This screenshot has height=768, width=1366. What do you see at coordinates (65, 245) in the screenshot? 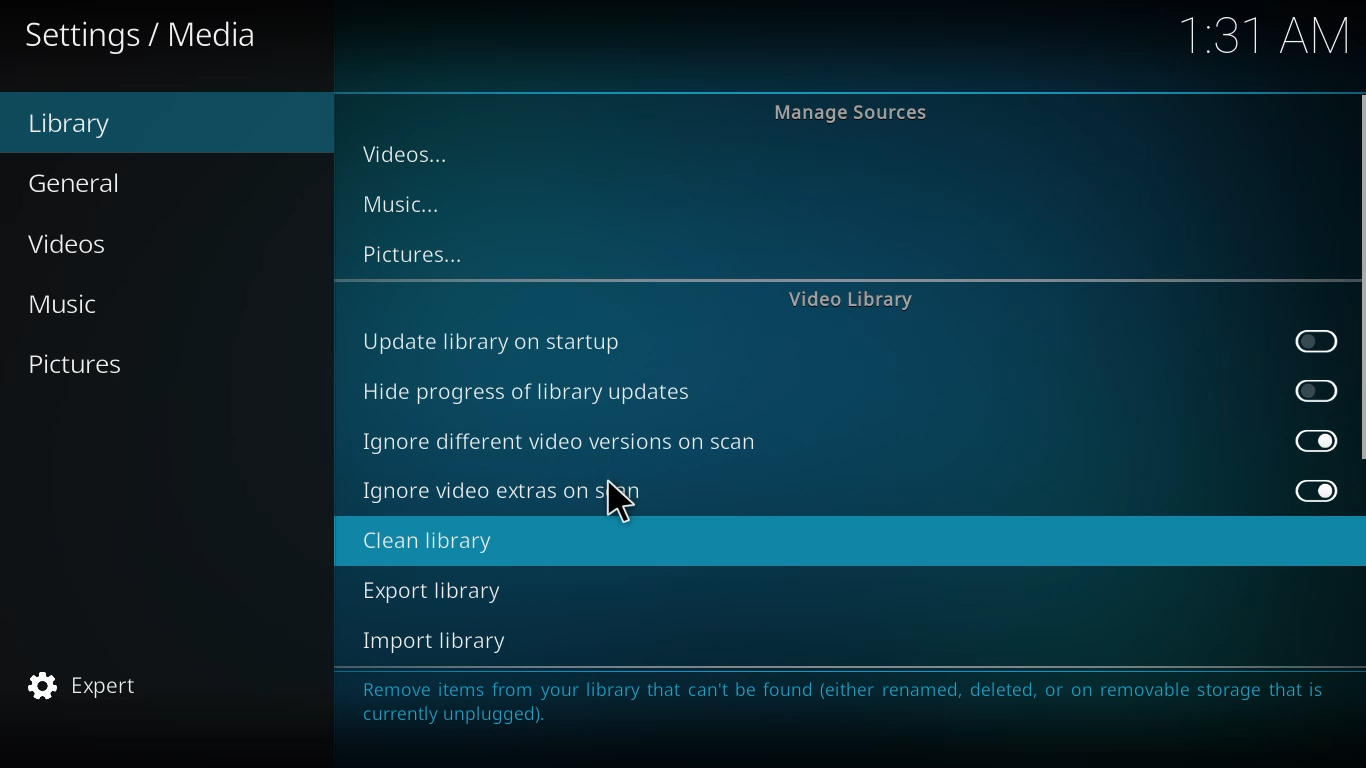
I see `Videos` at bounding box center [65, 245].